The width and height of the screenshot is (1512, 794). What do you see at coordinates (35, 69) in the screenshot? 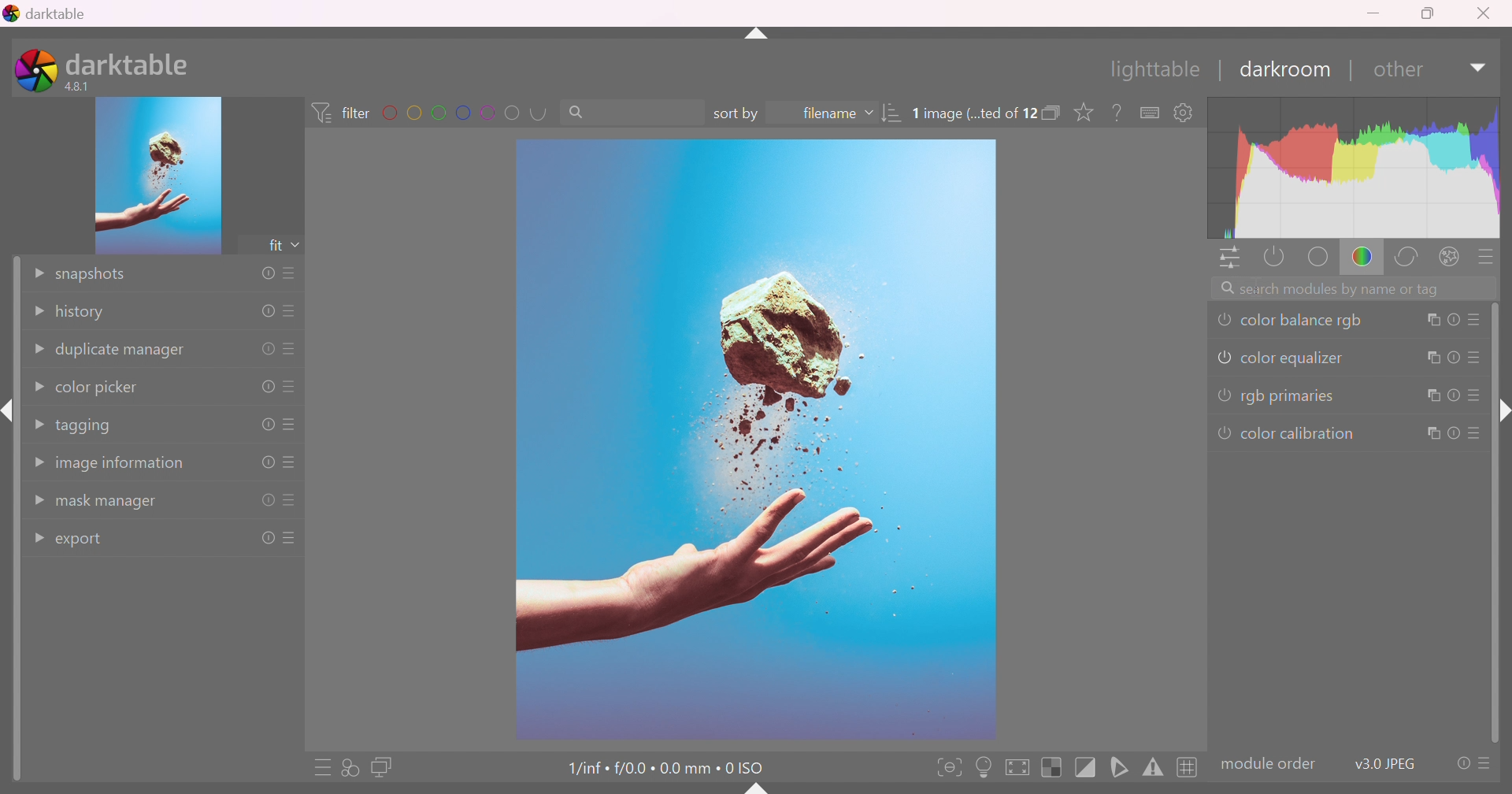
I see `darktable` at bounding box center [35, 69].